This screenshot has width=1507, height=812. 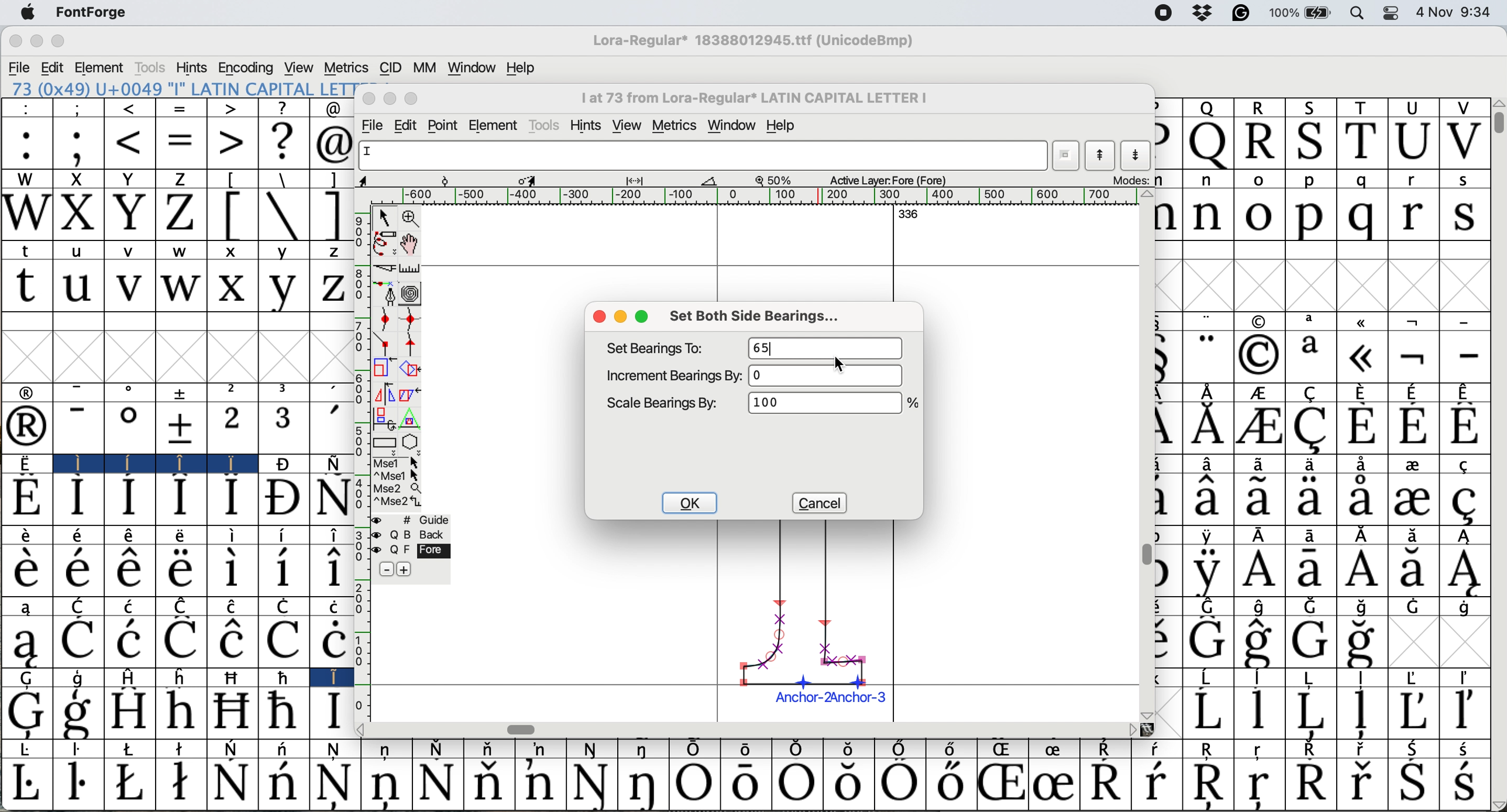 What do you see at coordinates (1259, 465) in the screenshot?
I see `Symbol` at bounding box center [1259, 465].